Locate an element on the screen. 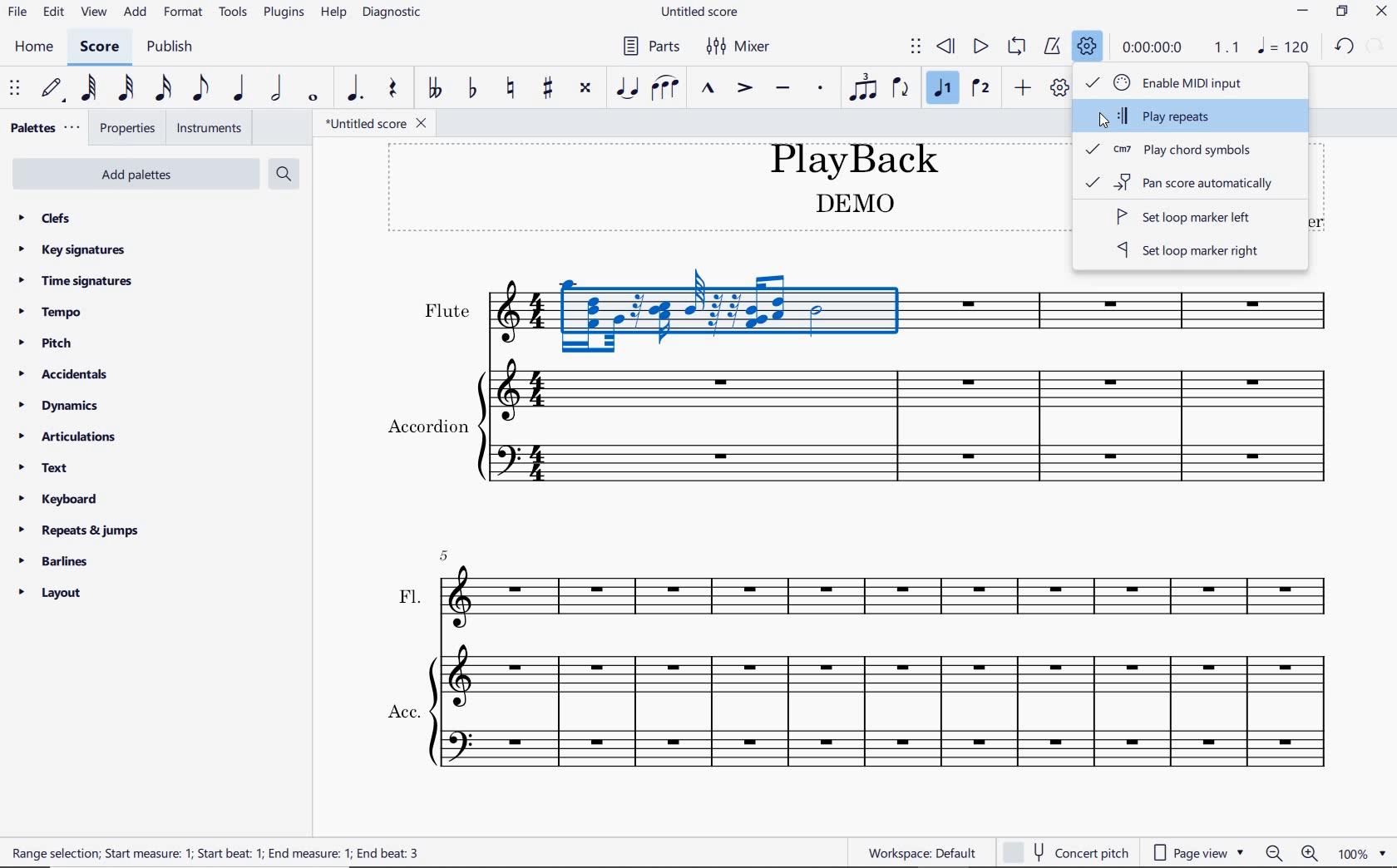  page view is located at coordinates (1198, 853).